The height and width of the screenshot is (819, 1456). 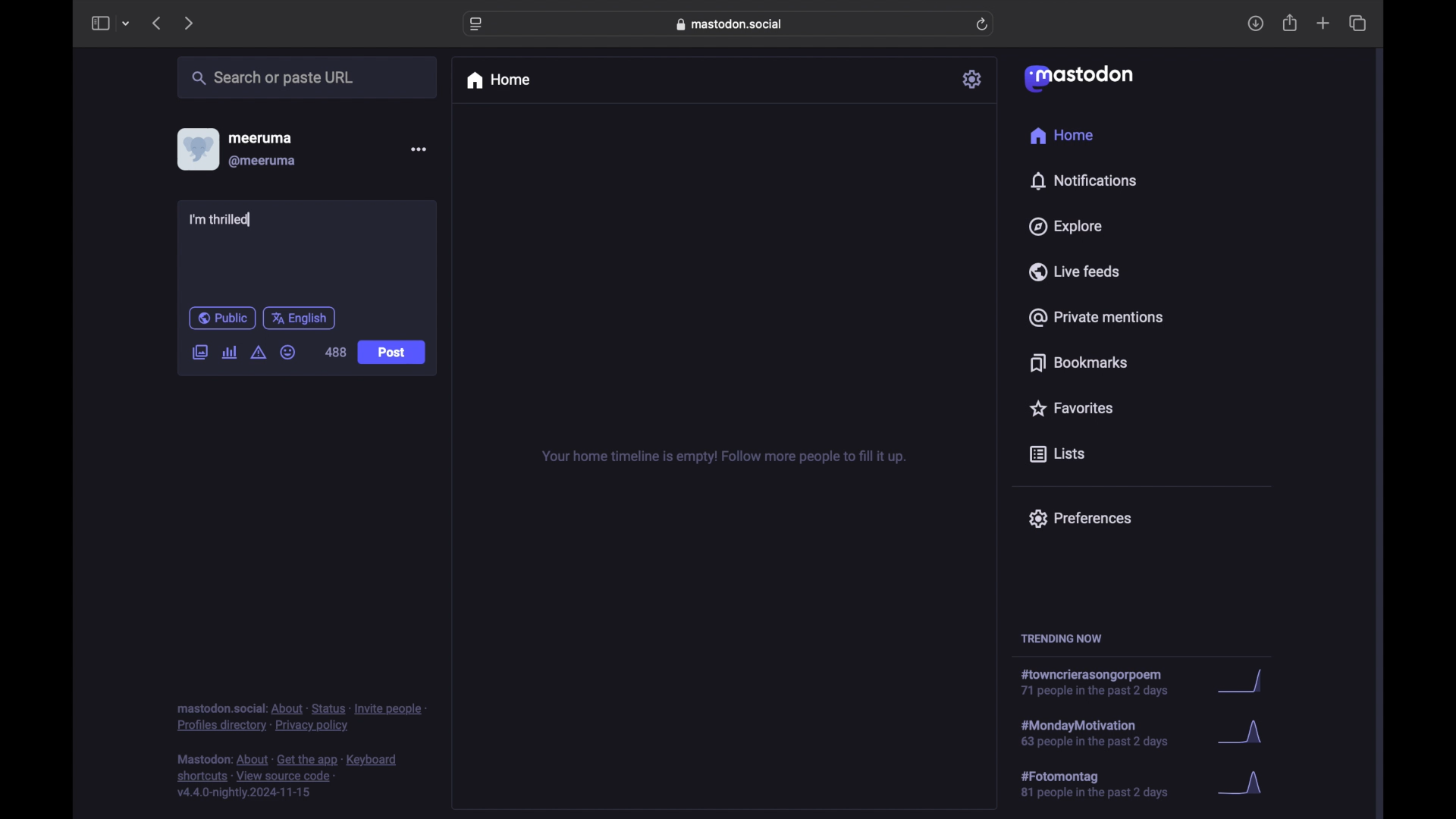 What do you see at coordinates (231, 353) in the screenshot?
I see `add poll` at bounding box center [231, 353].